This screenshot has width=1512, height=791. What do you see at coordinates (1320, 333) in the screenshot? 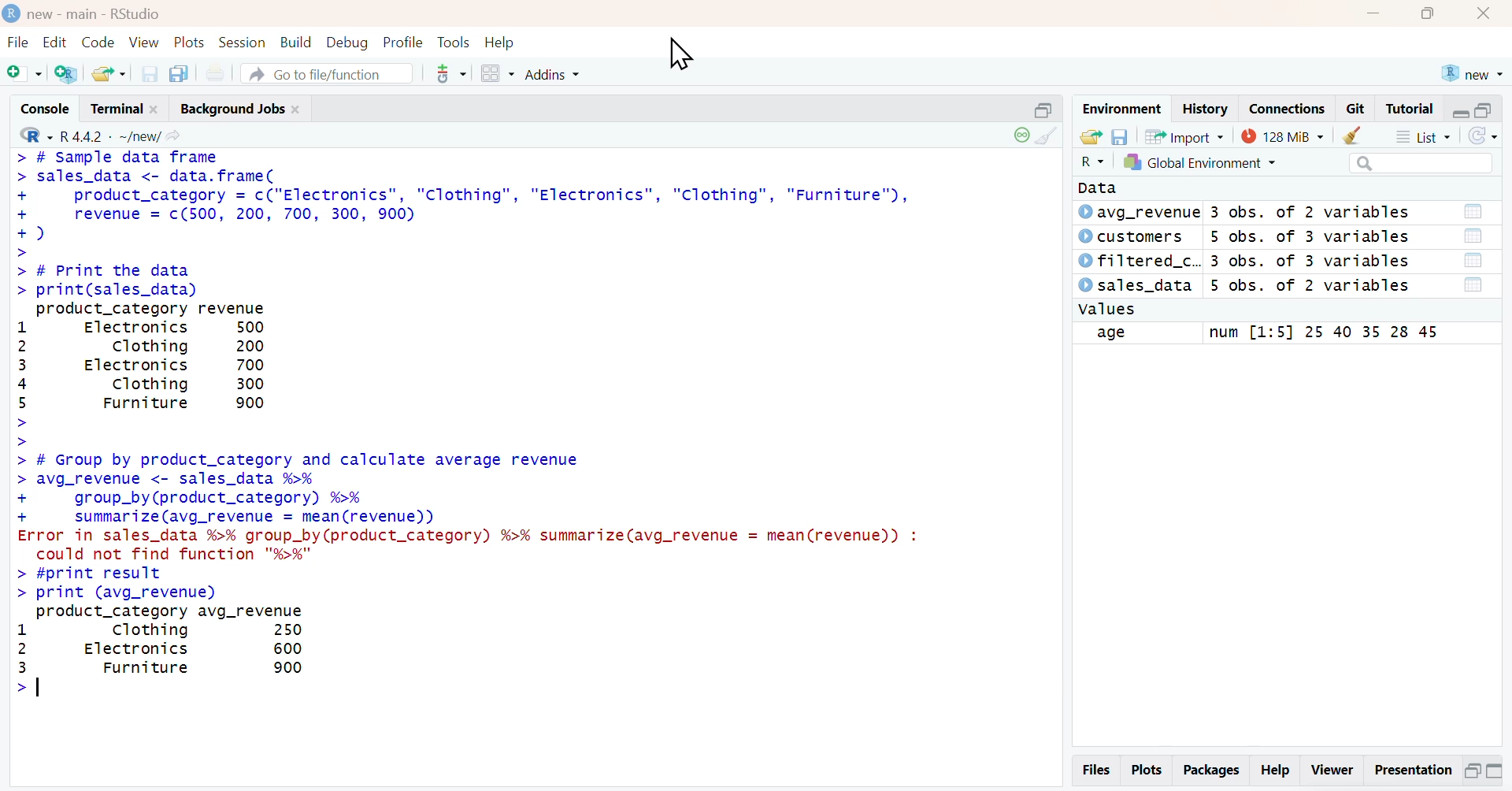
I see `field values` at bounding box center [1320, 333].